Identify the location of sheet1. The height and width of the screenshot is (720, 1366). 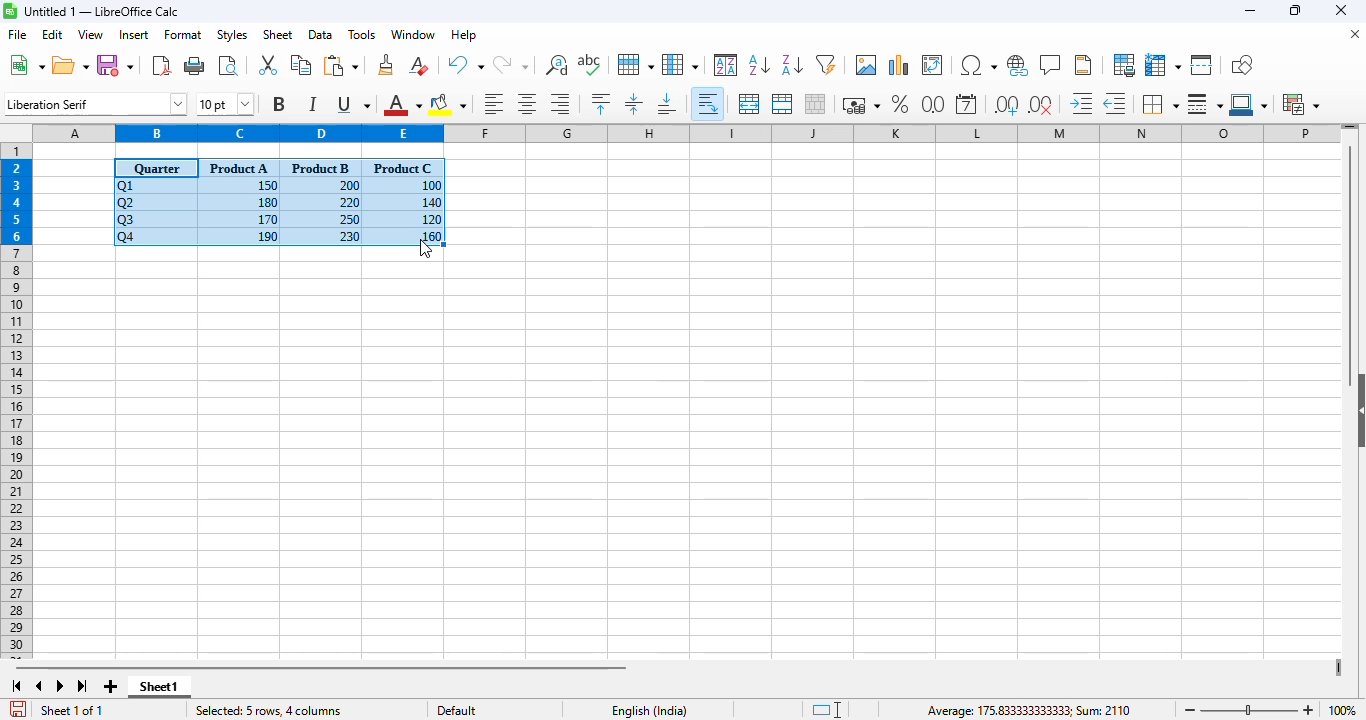
(159, 686).